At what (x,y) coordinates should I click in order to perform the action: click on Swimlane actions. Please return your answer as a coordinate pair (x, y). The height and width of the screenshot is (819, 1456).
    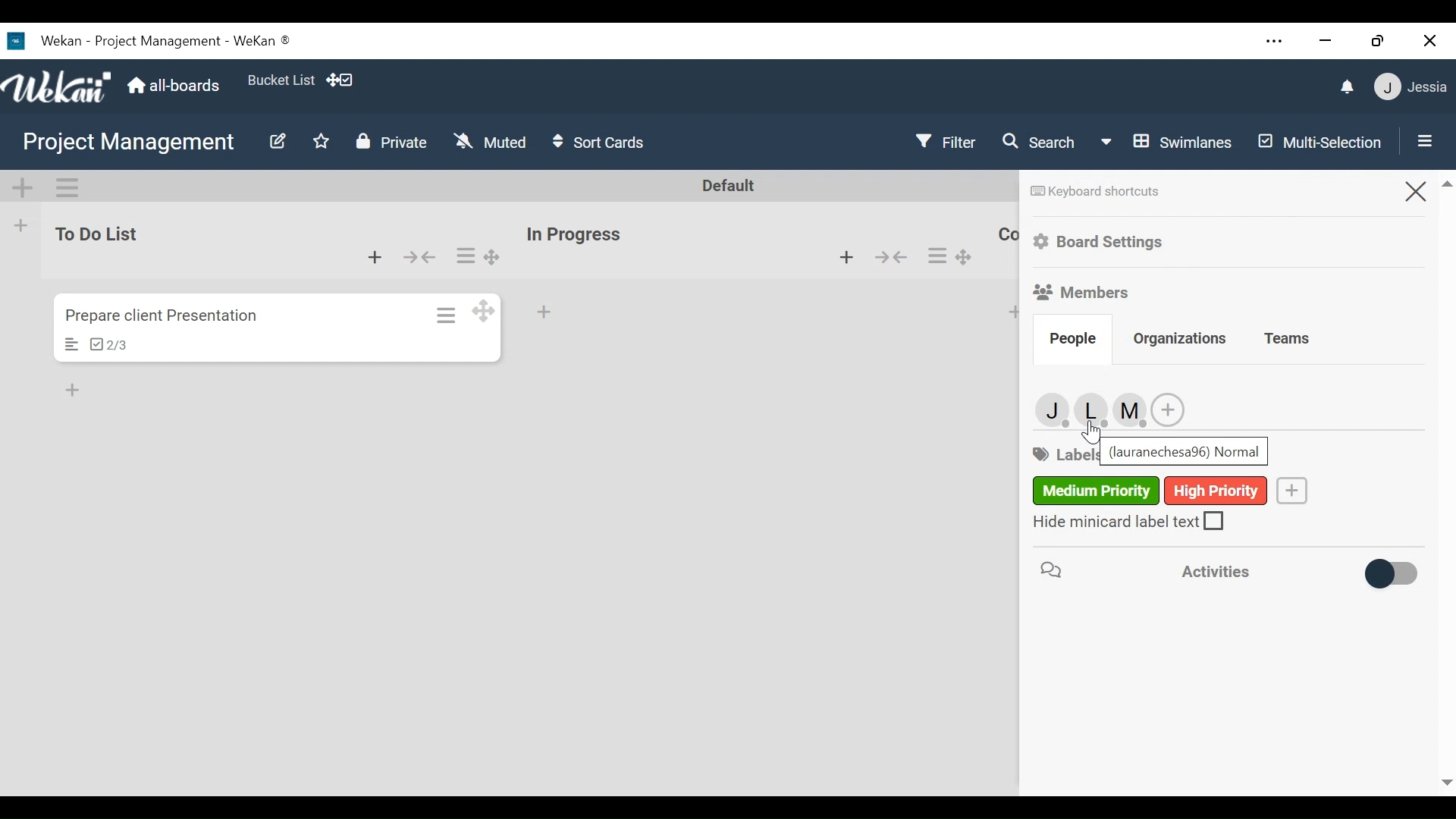
    Looking at the image, I should click on (66, 187).